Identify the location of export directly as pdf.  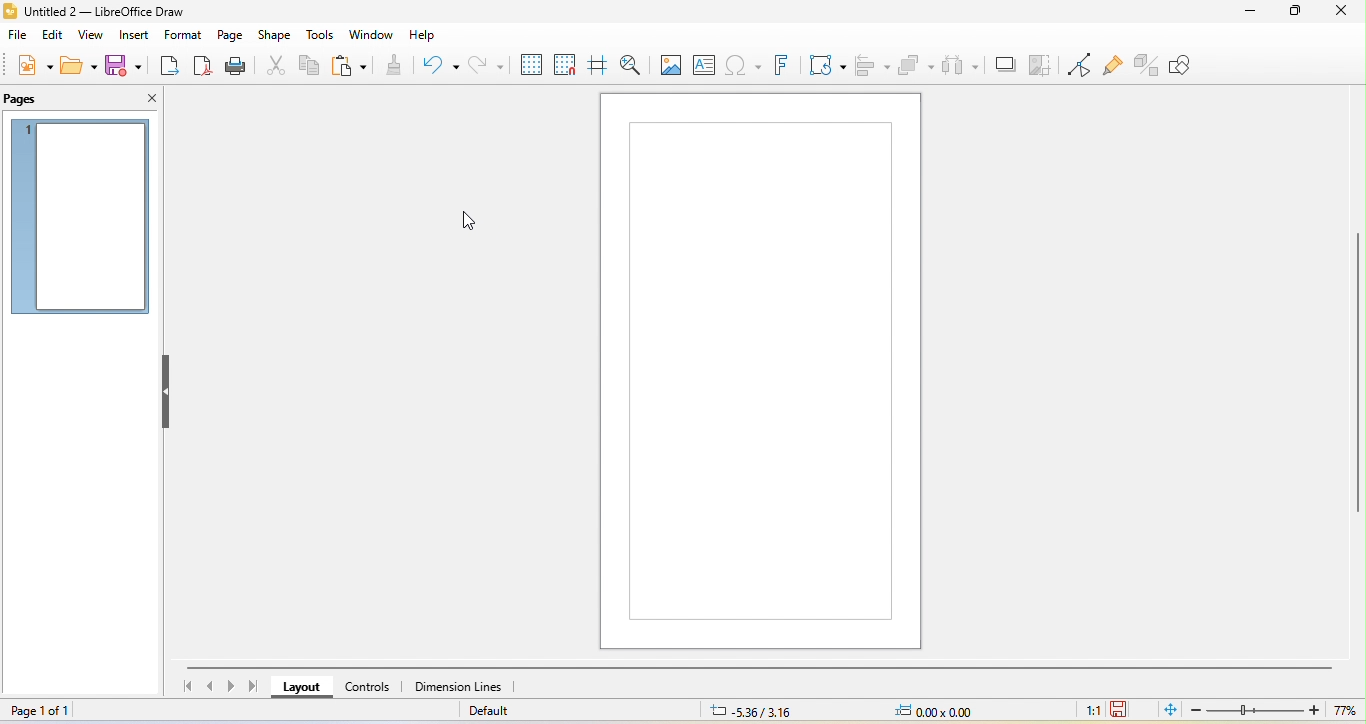
(202, 66).